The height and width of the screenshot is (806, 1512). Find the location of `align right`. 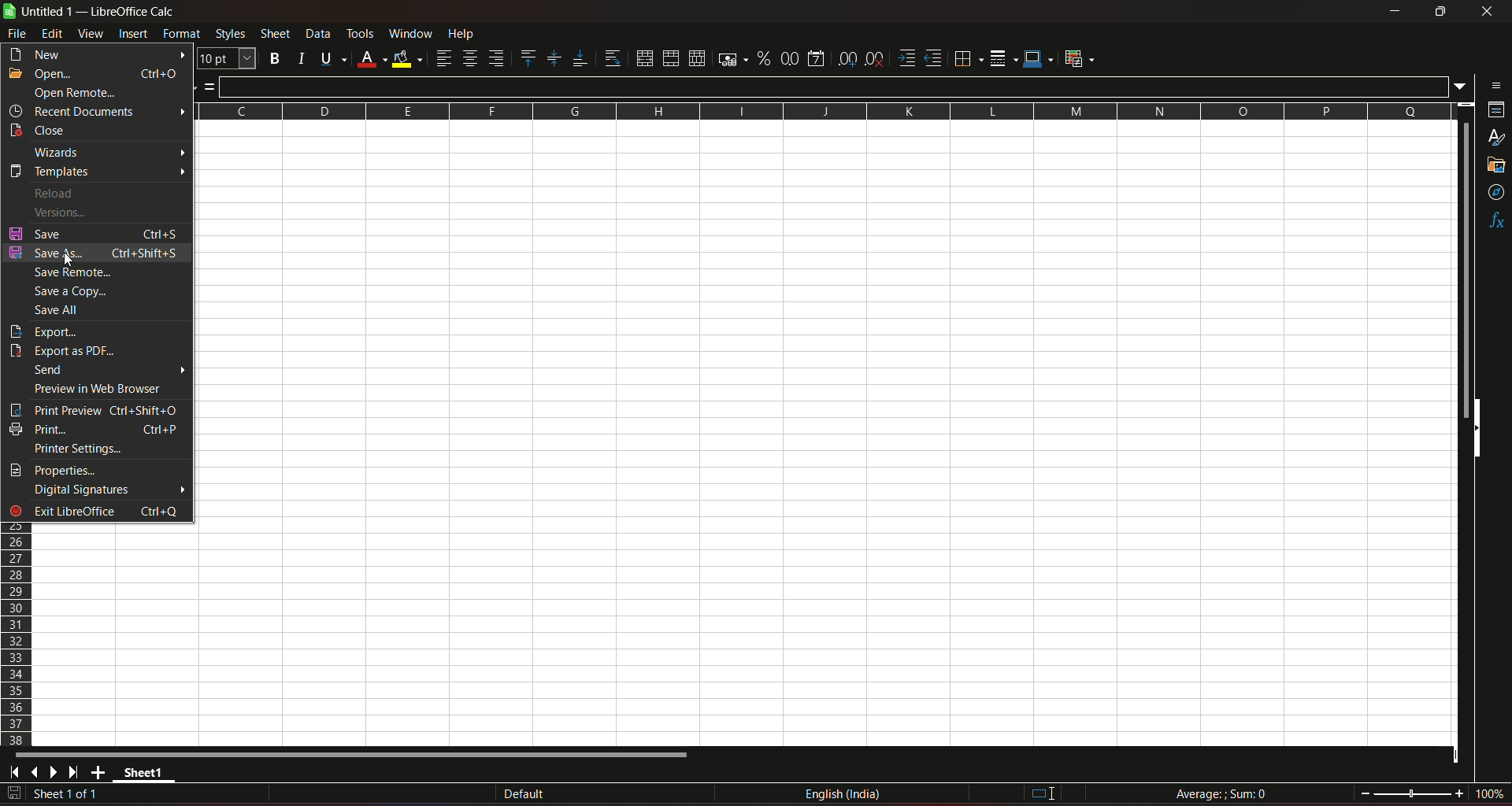

align right is located at coordinates (497, 59).